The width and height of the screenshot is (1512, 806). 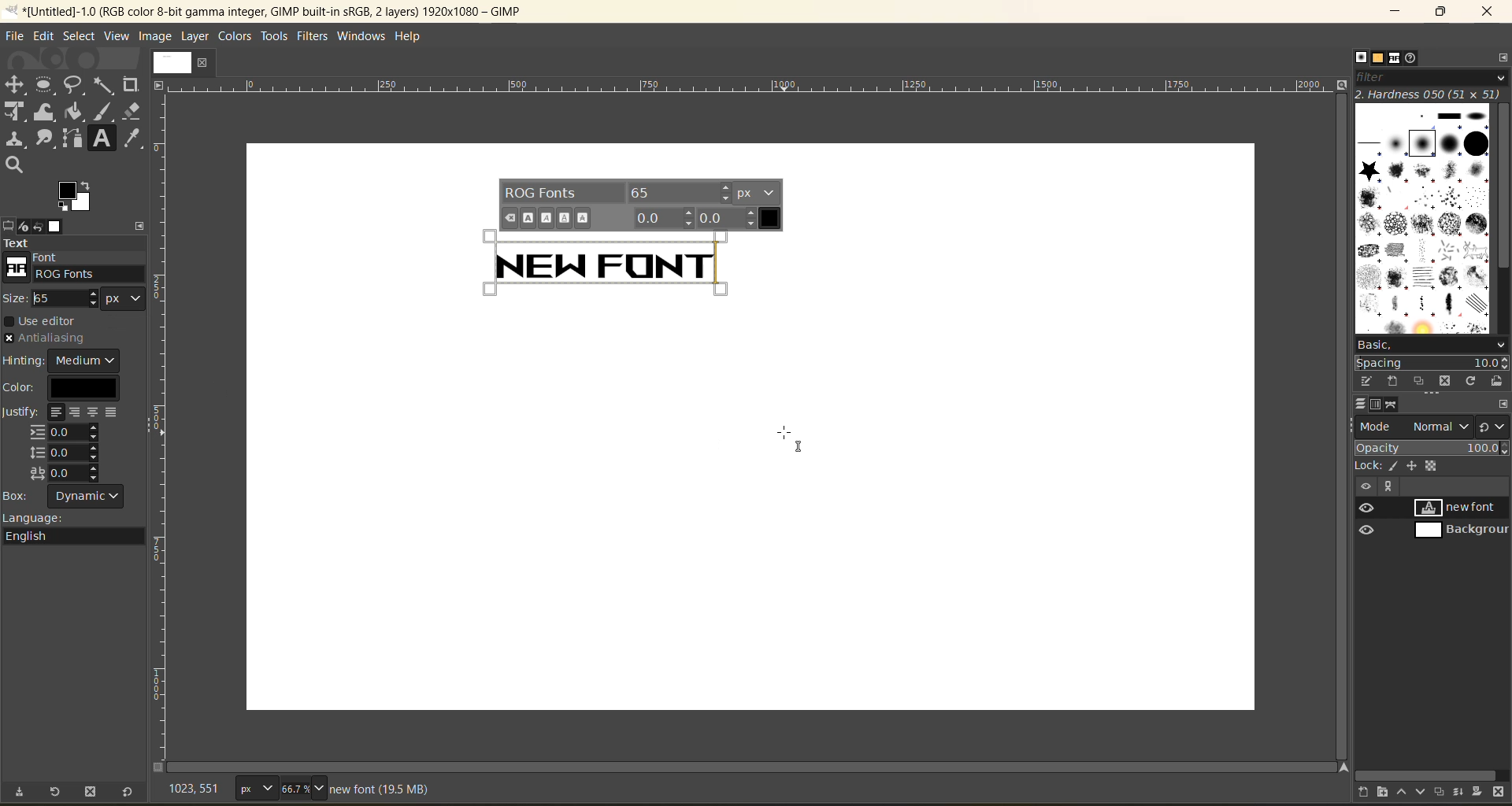 I want to click on switch, so click(x=1492, y=426).